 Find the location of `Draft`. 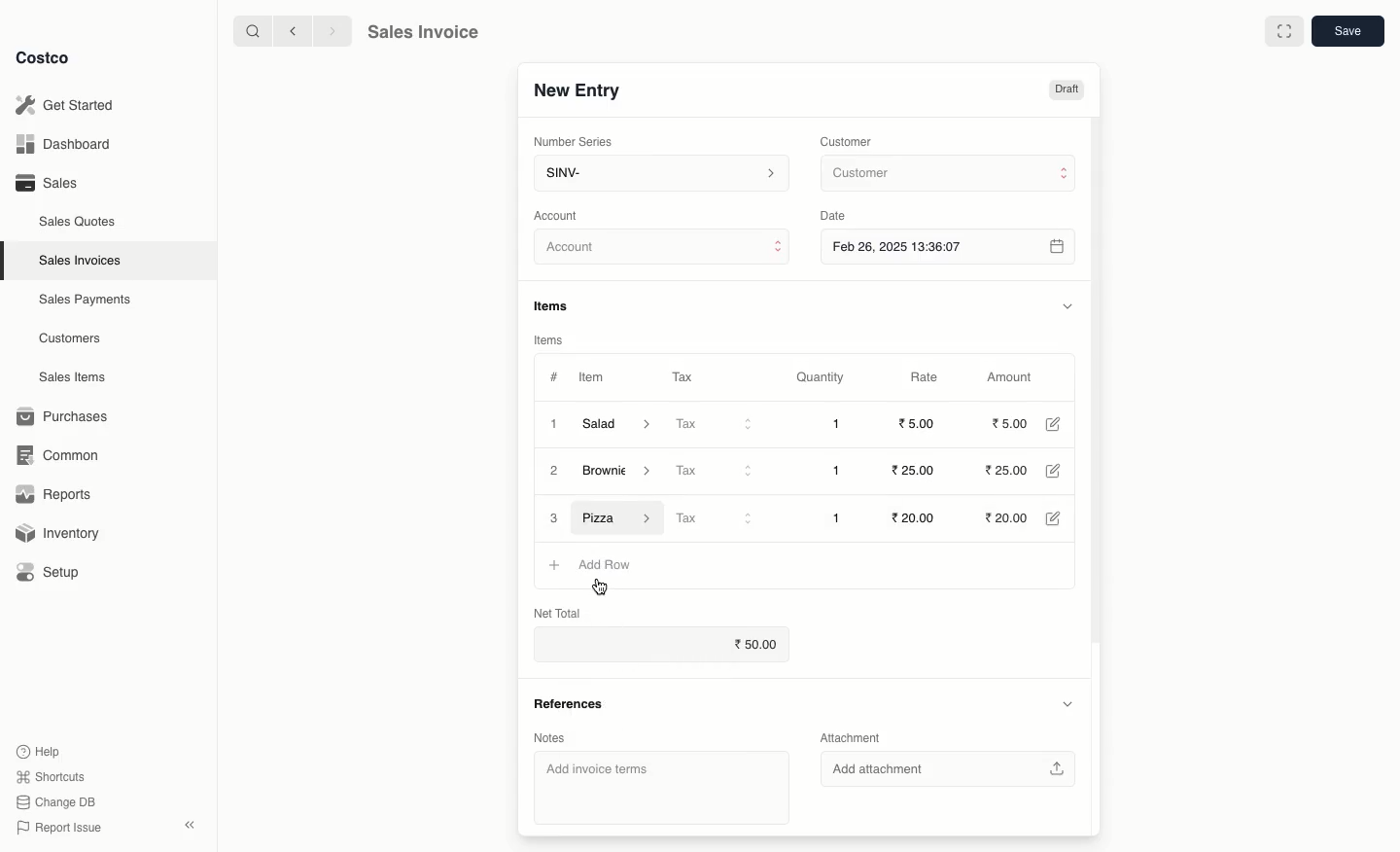

Draft is located at coordinates (1067, 90).